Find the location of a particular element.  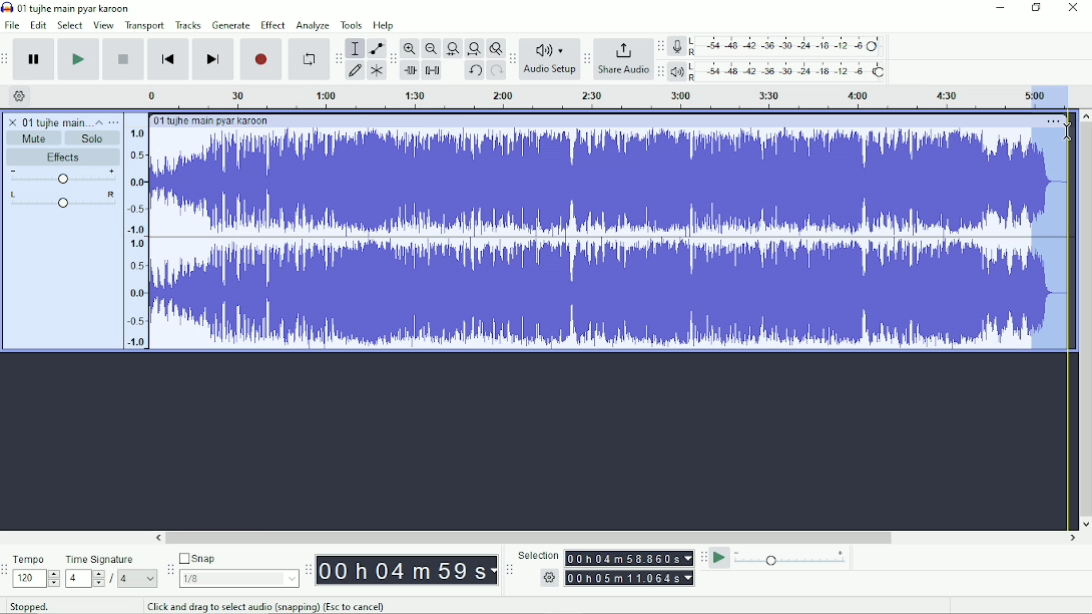

Audacity snapping toolbar is located at coordinates (170, 569).